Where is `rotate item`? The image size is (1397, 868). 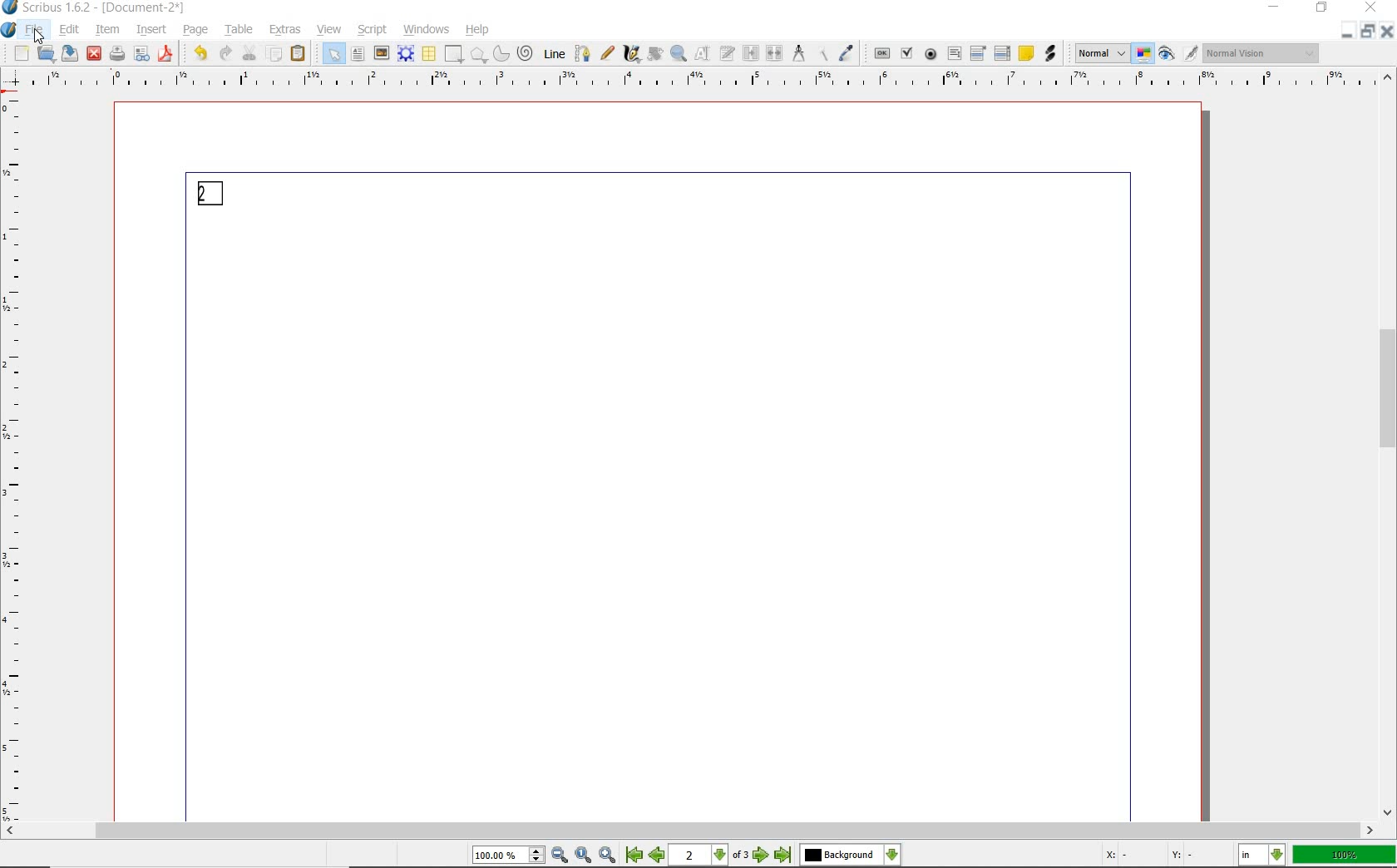 rotate item is located at coordinates (654, 53).